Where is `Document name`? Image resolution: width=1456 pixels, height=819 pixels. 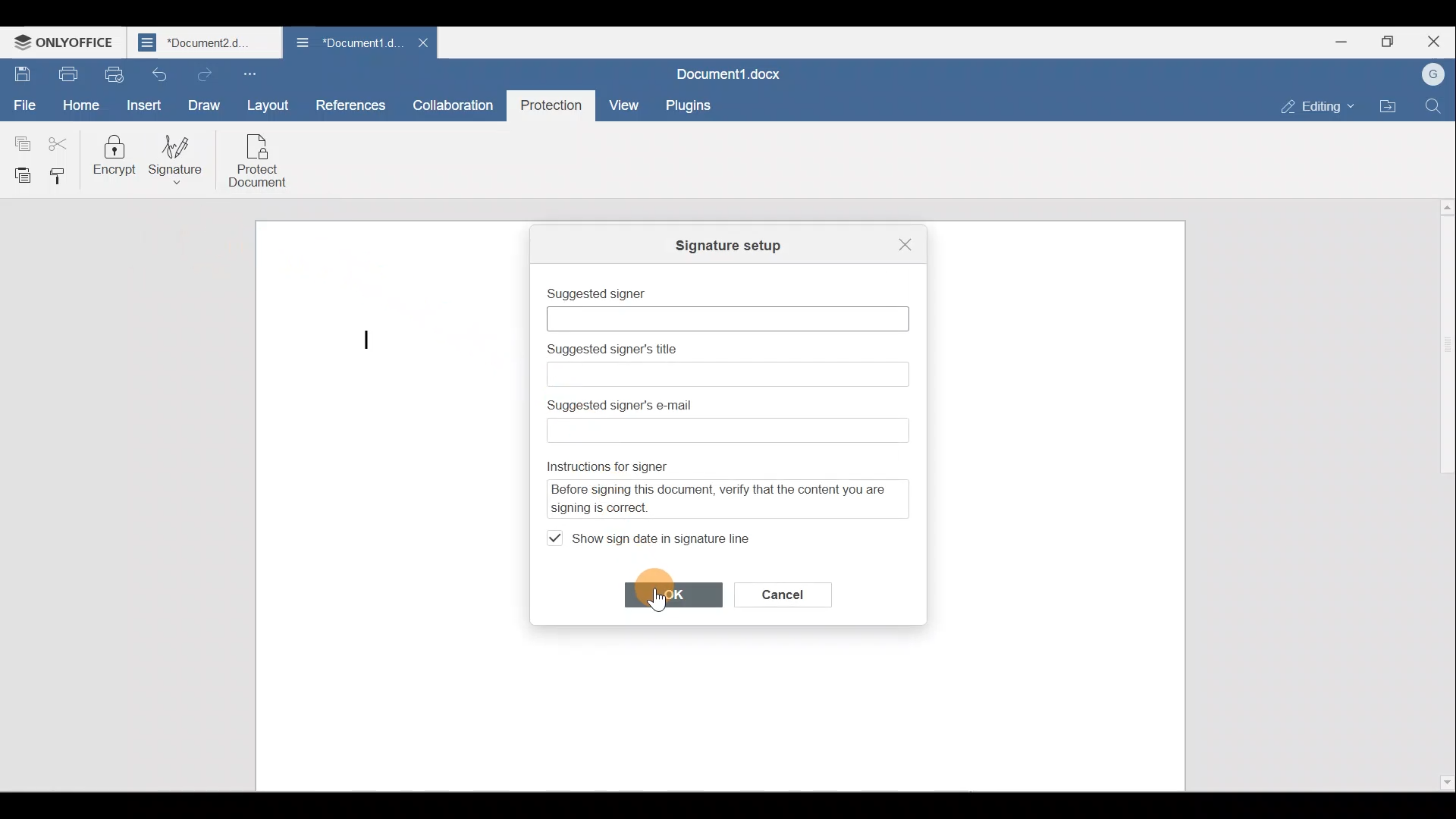 Document name is located at coordinates (347, 41).